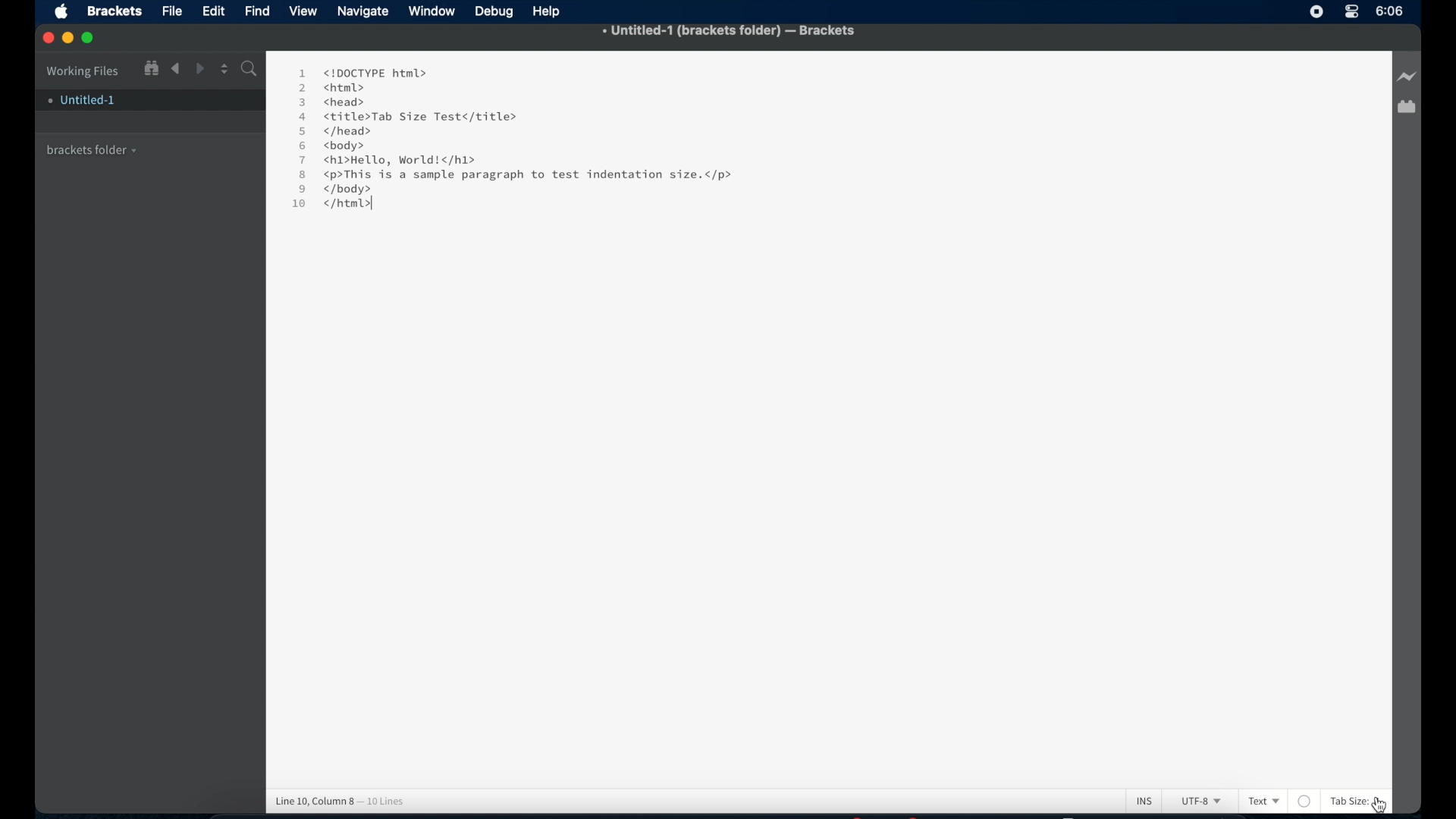 The width and height of the screenshot is (1456, 819). Describe the element at coordinates (1351, 13) in the screenshot. I see `Recording` at that location.